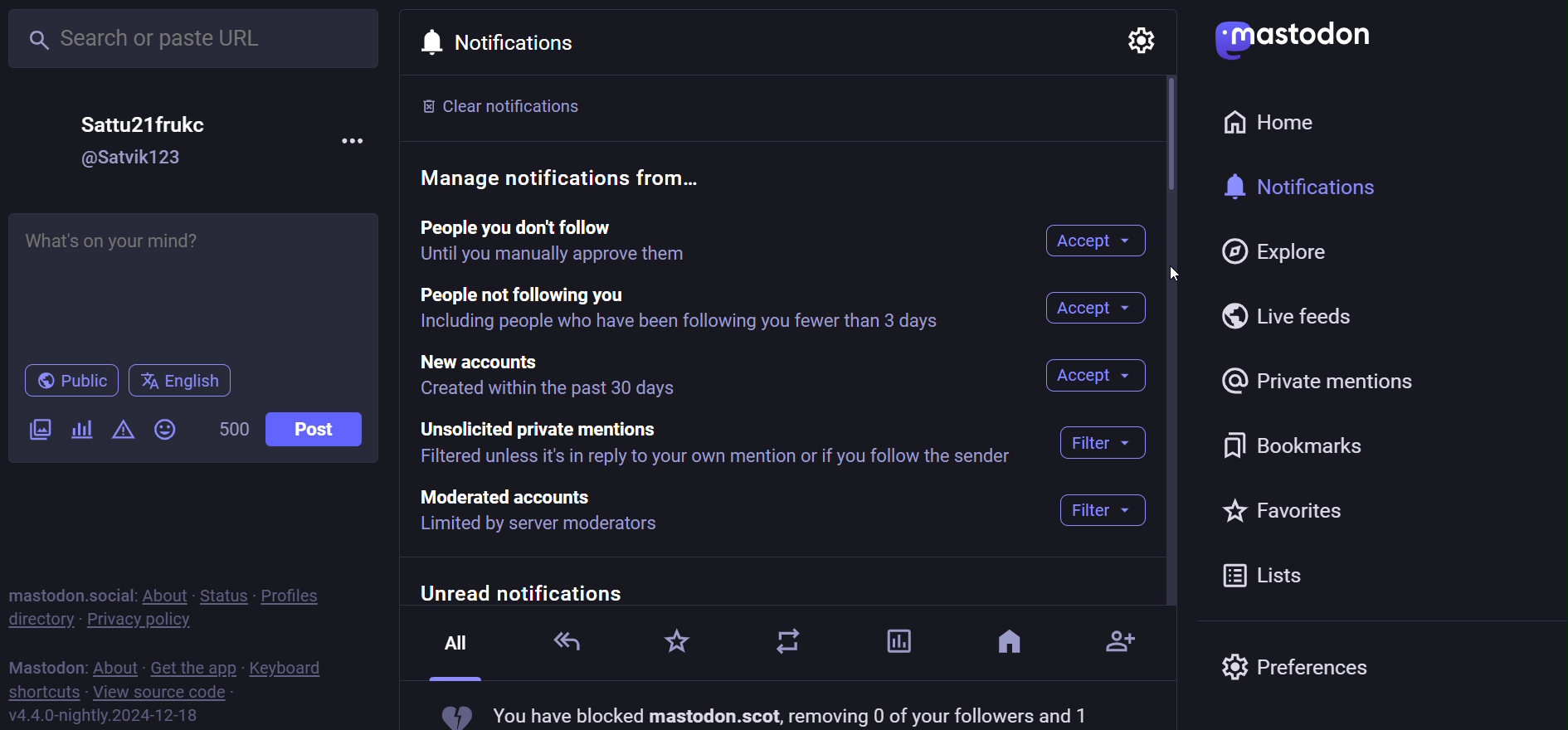  What do you see at coordinates (1150, 37) in the screenshot?
I see `setting` at bounding box center [1150, 37].